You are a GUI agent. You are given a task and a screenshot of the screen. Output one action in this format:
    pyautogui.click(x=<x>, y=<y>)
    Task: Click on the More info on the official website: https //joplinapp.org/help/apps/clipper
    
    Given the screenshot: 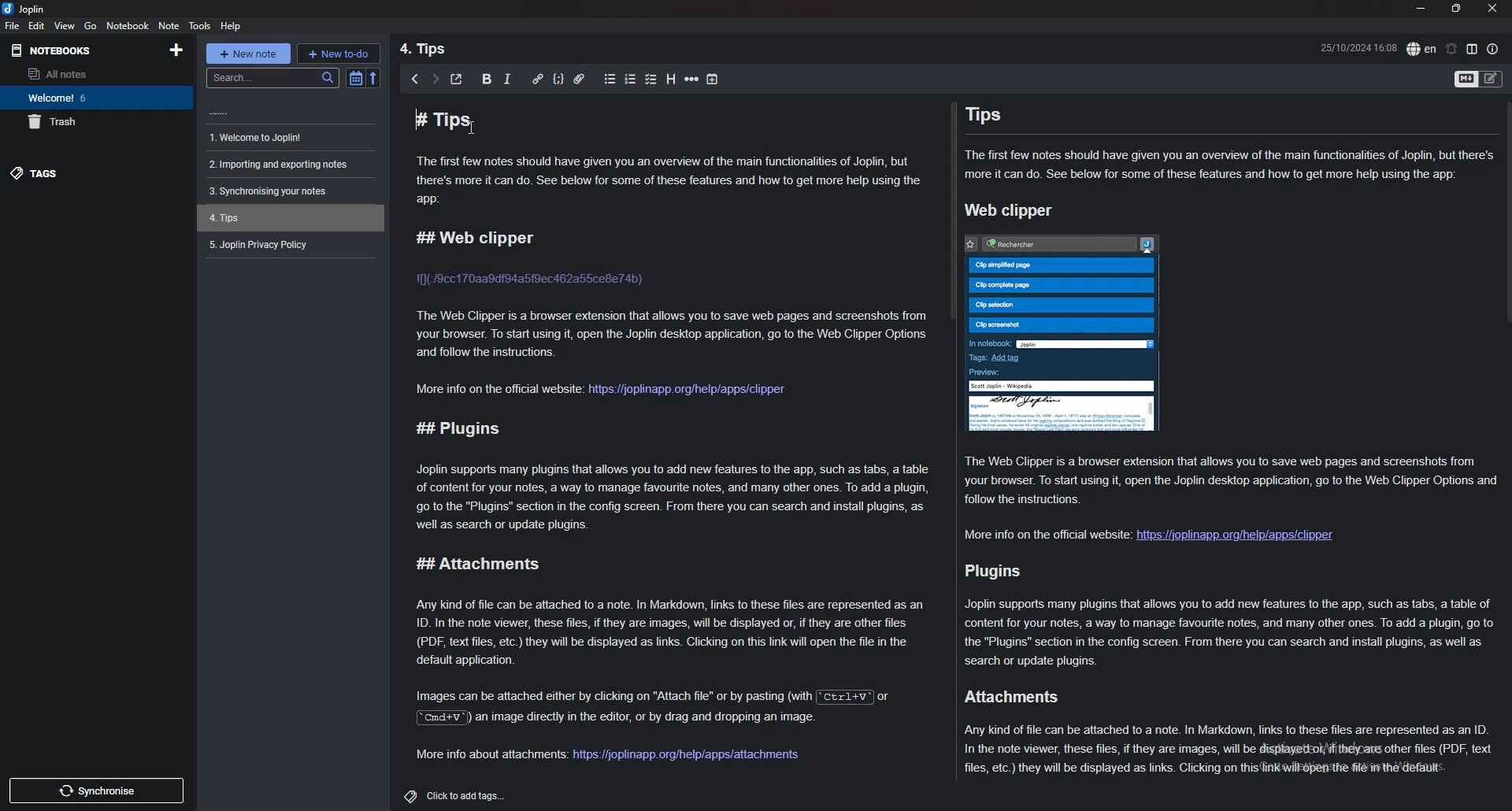 What is the action you would take?
    pyautogui.click(x=1143, y=534)
    